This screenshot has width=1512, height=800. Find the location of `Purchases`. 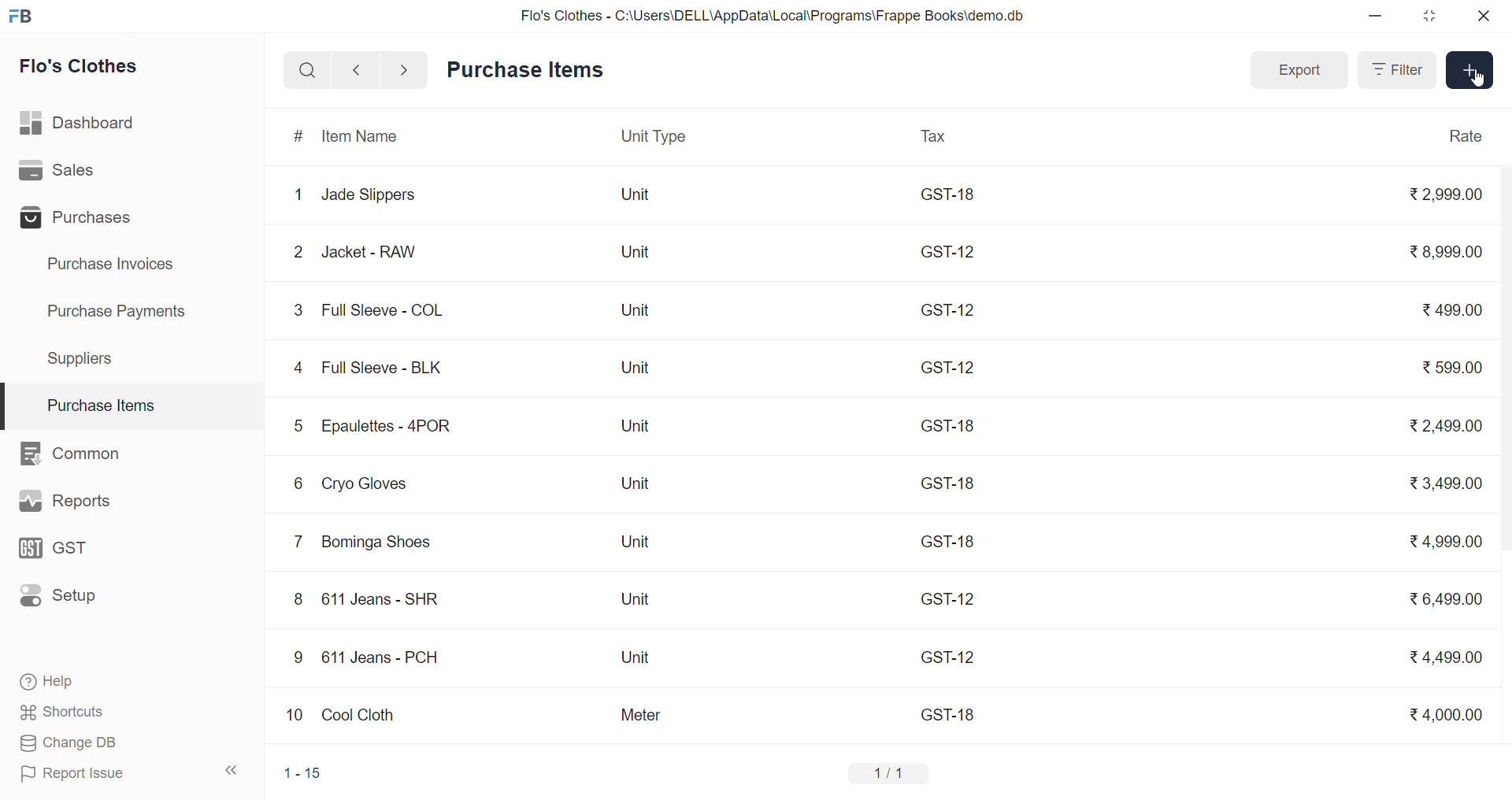

Purchases is located at coordinates (80, 217).